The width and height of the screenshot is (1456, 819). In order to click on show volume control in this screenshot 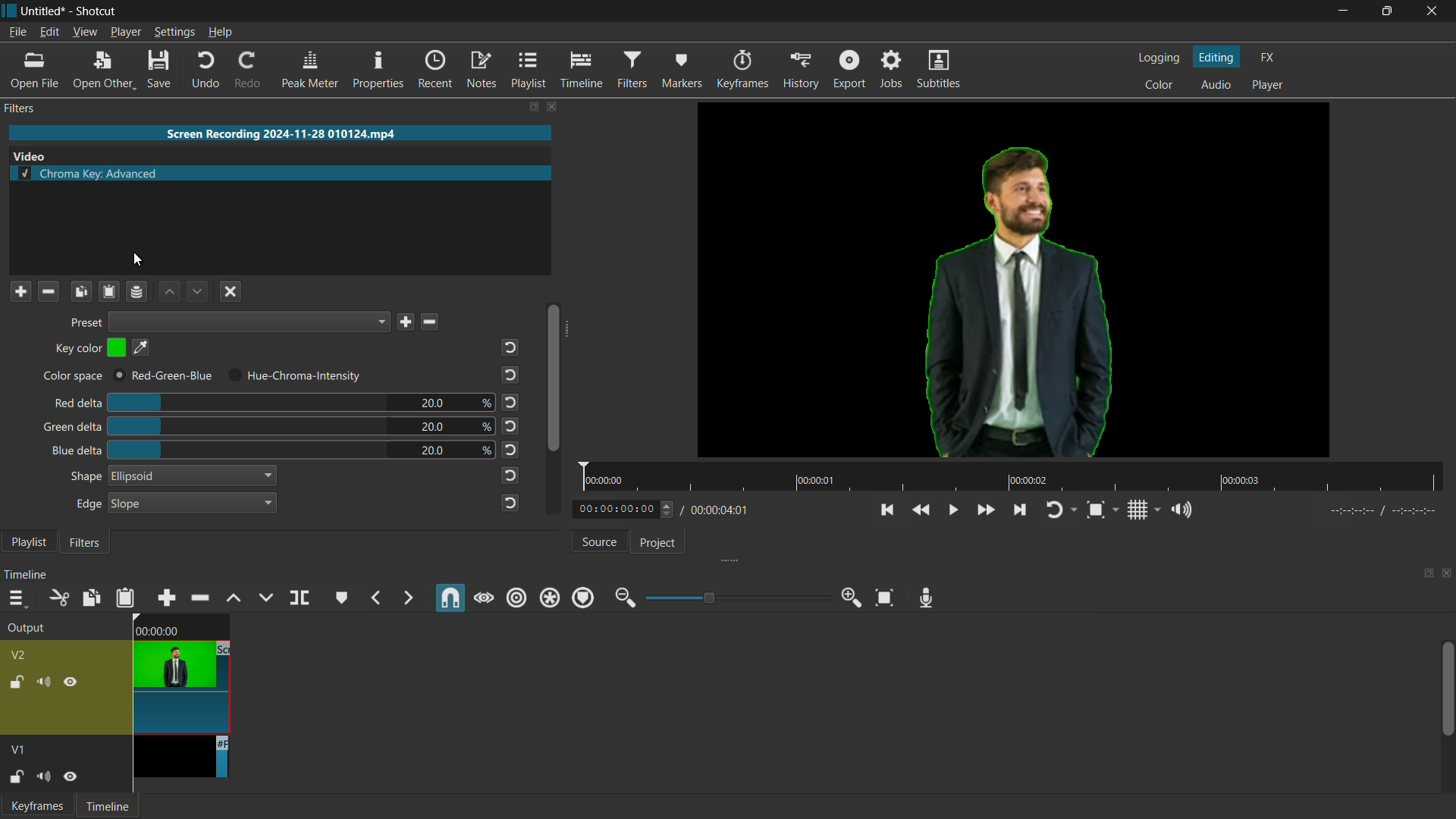, I will do `click(1177, 510)`.